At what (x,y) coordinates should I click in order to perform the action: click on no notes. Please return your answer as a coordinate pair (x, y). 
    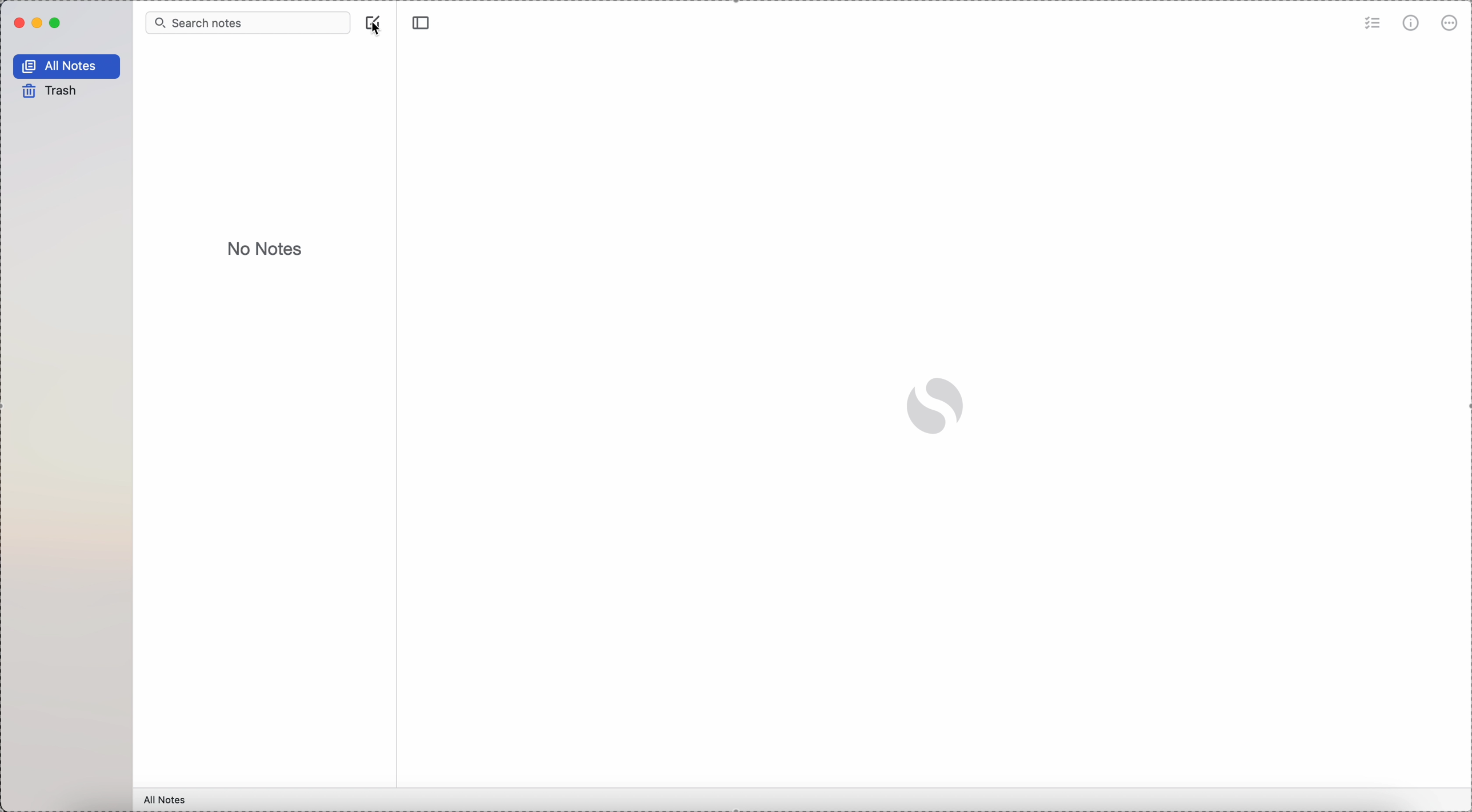
    Looking at the image, I should click on (266, 248).